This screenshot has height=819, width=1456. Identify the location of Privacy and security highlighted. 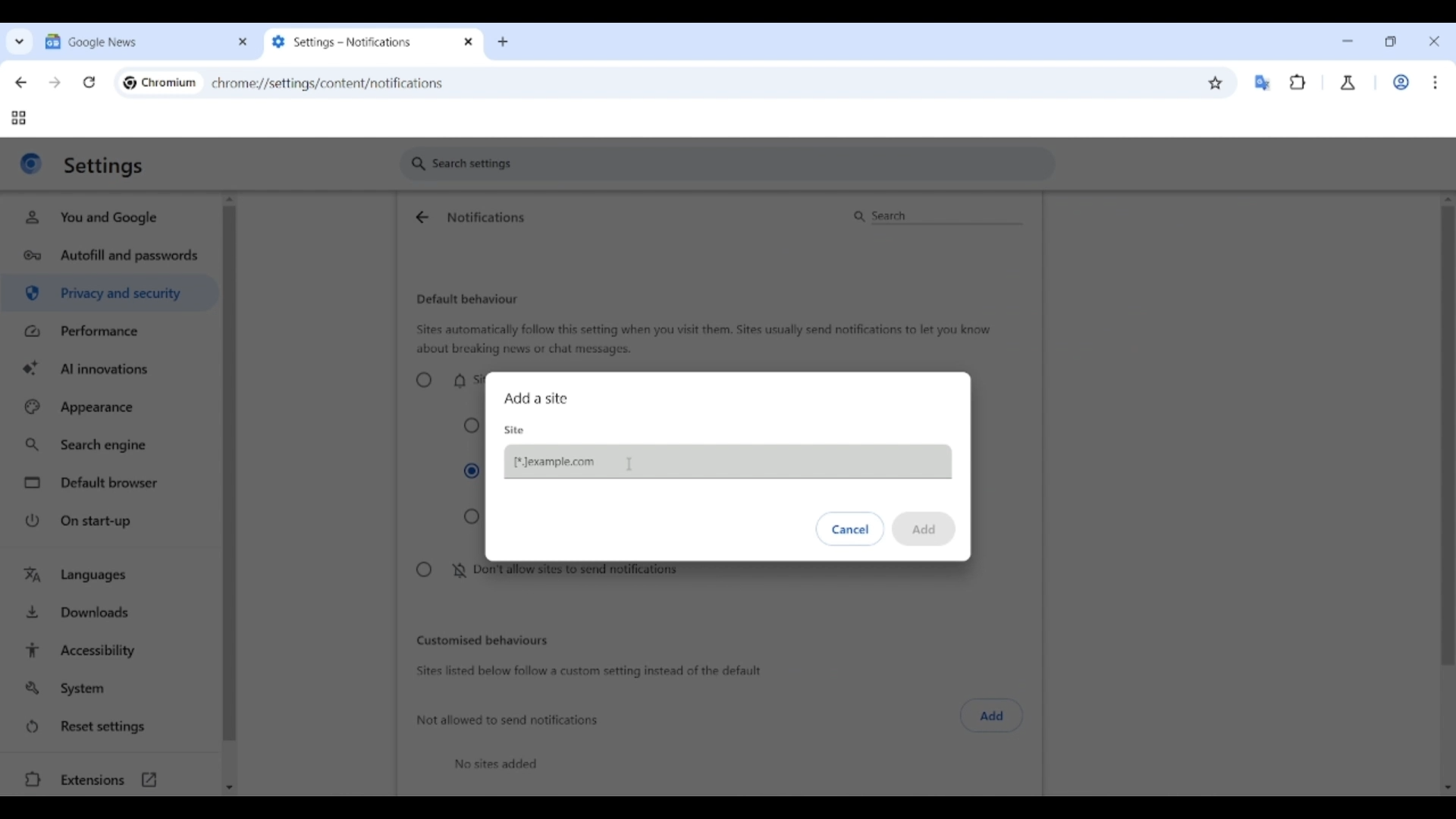
(108, 296).